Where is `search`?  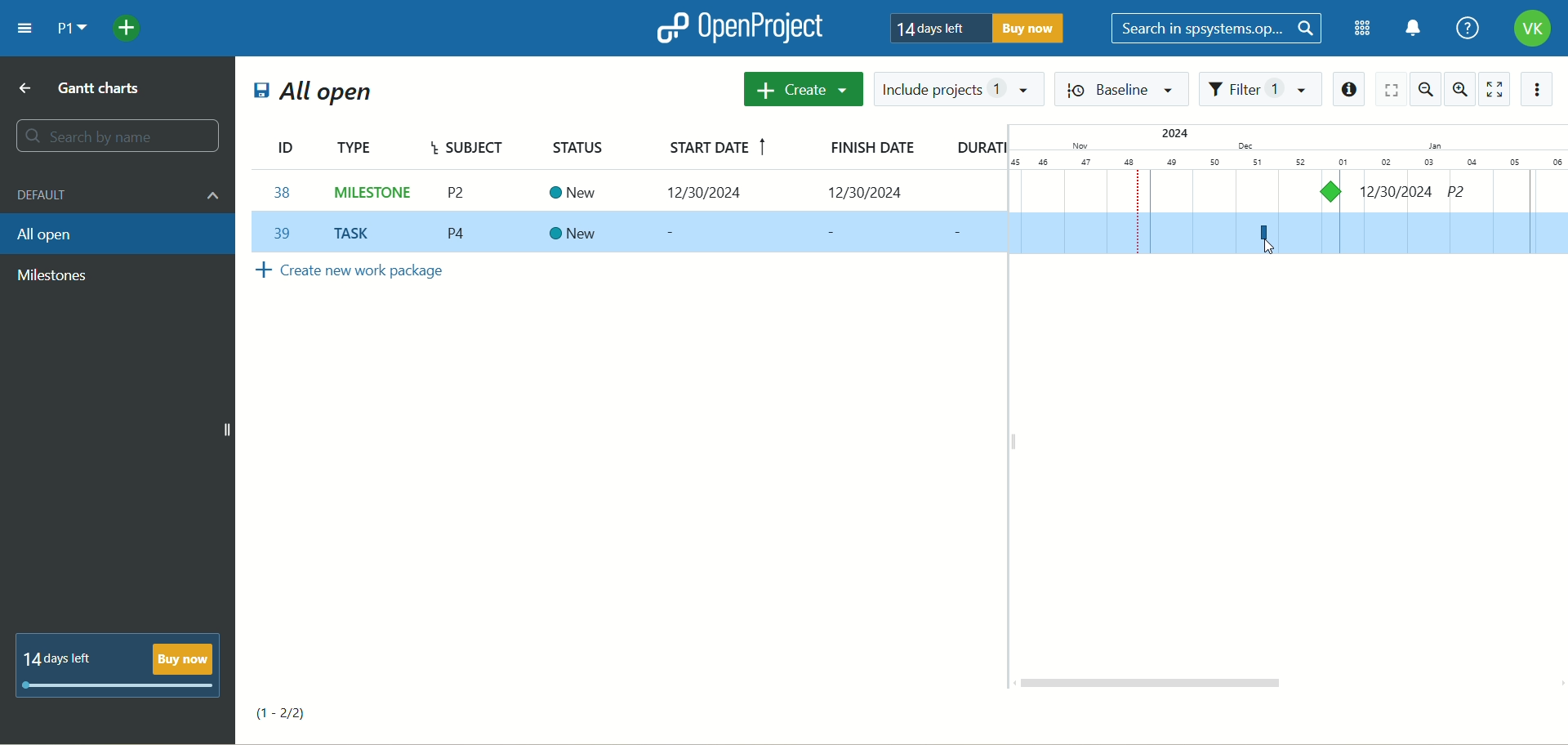 search is located at coordinates (1218, 29).